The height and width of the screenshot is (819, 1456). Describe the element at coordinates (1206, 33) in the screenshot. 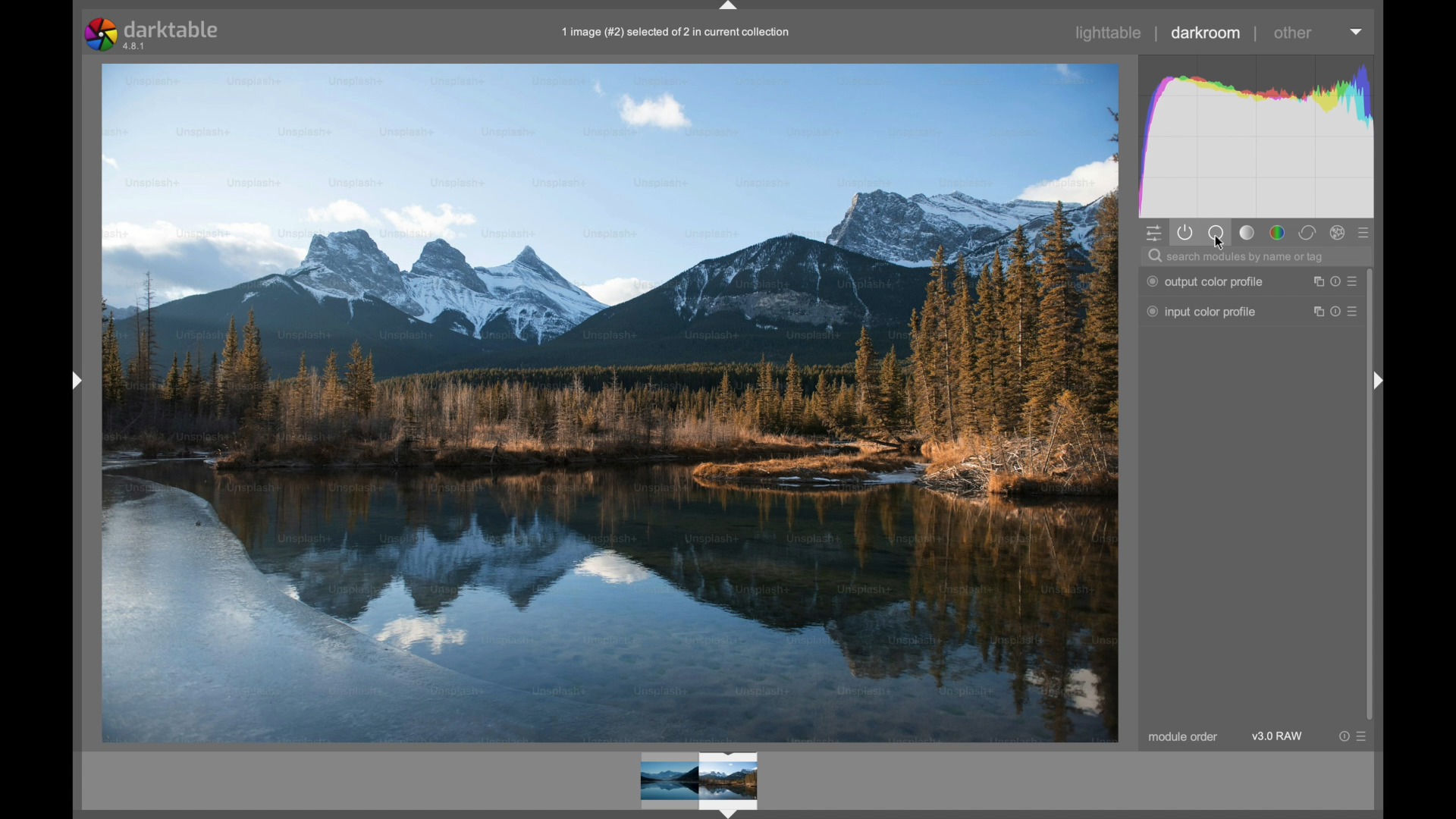

I see `darkroom` at that location.